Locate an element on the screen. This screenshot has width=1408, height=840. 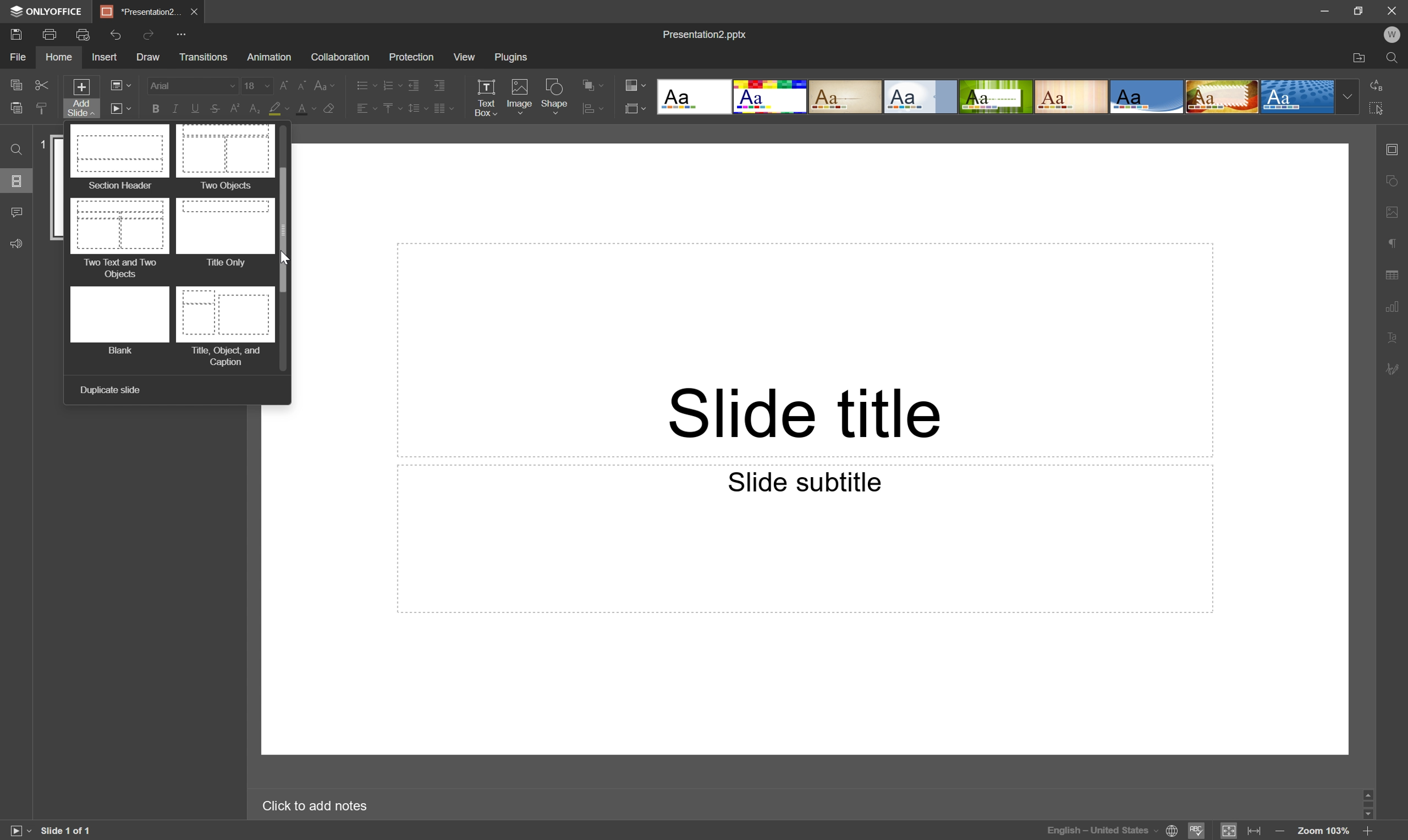
Bullets is located at coordinates (363, 83).